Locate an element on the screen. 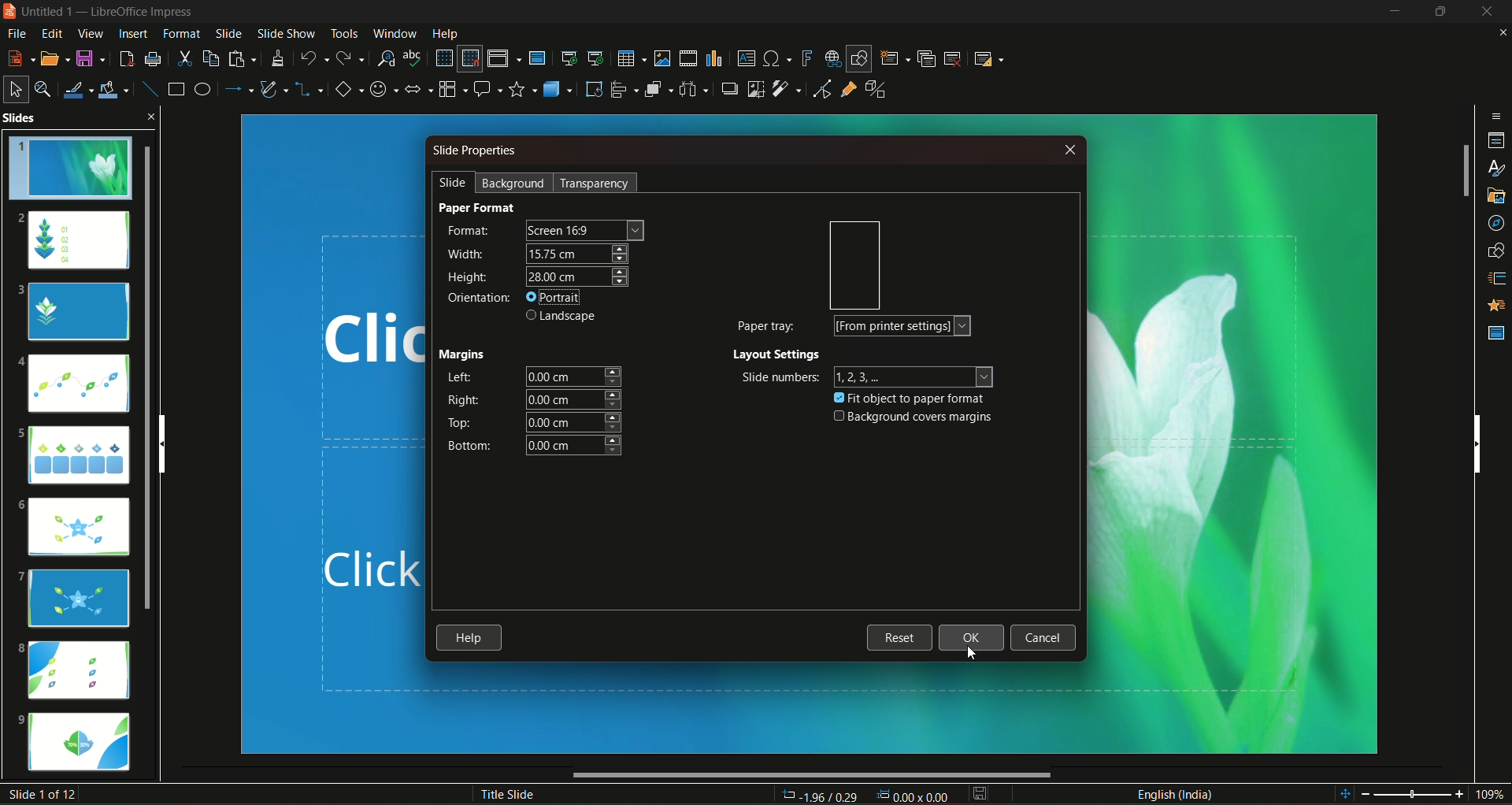 This screenshot has height=805, width=1512. navigator is located at coordinates (1494, 223).